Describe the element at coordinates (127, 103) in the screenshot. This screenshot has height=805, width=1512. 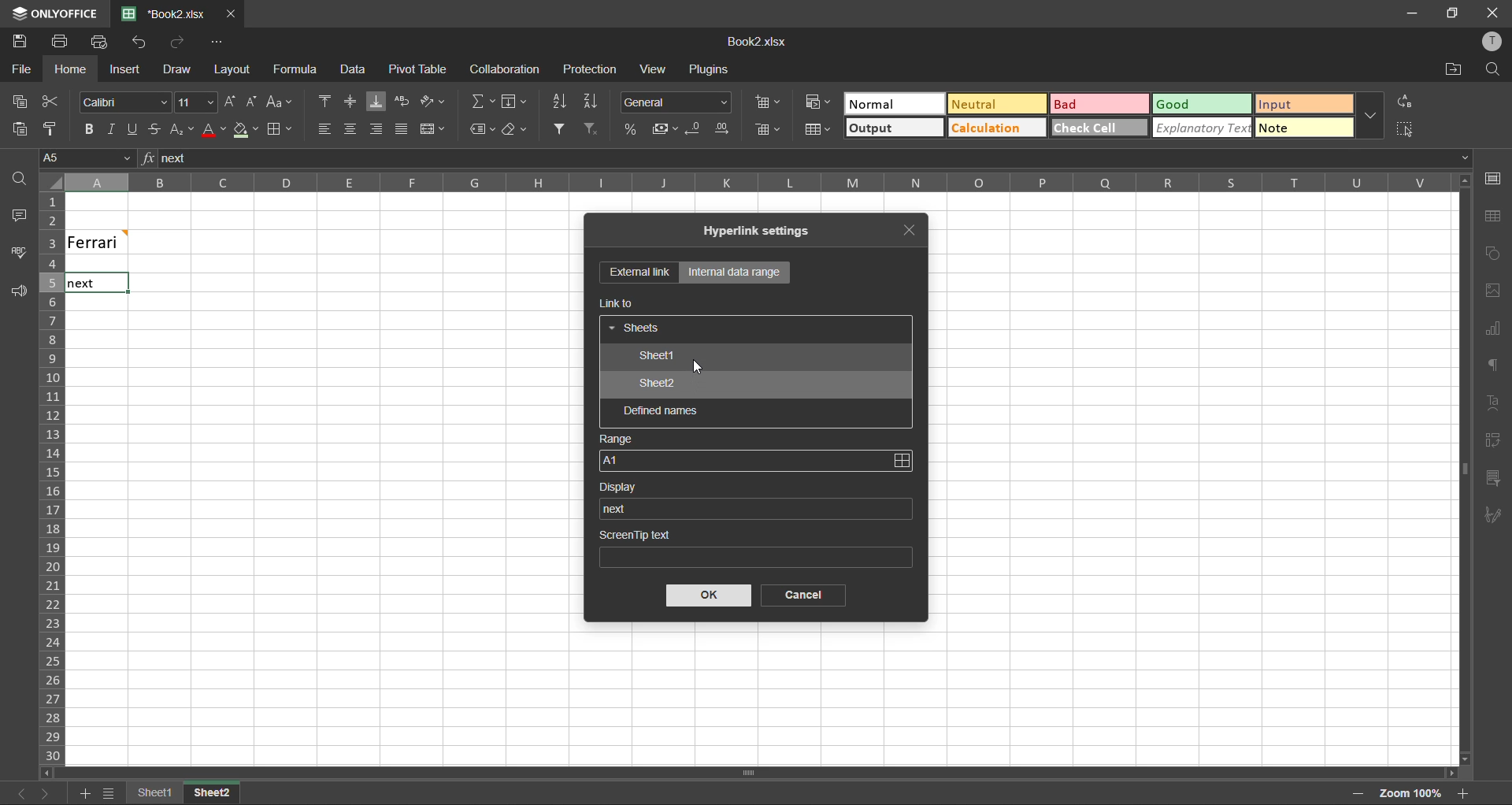
I see `font style` at that location.